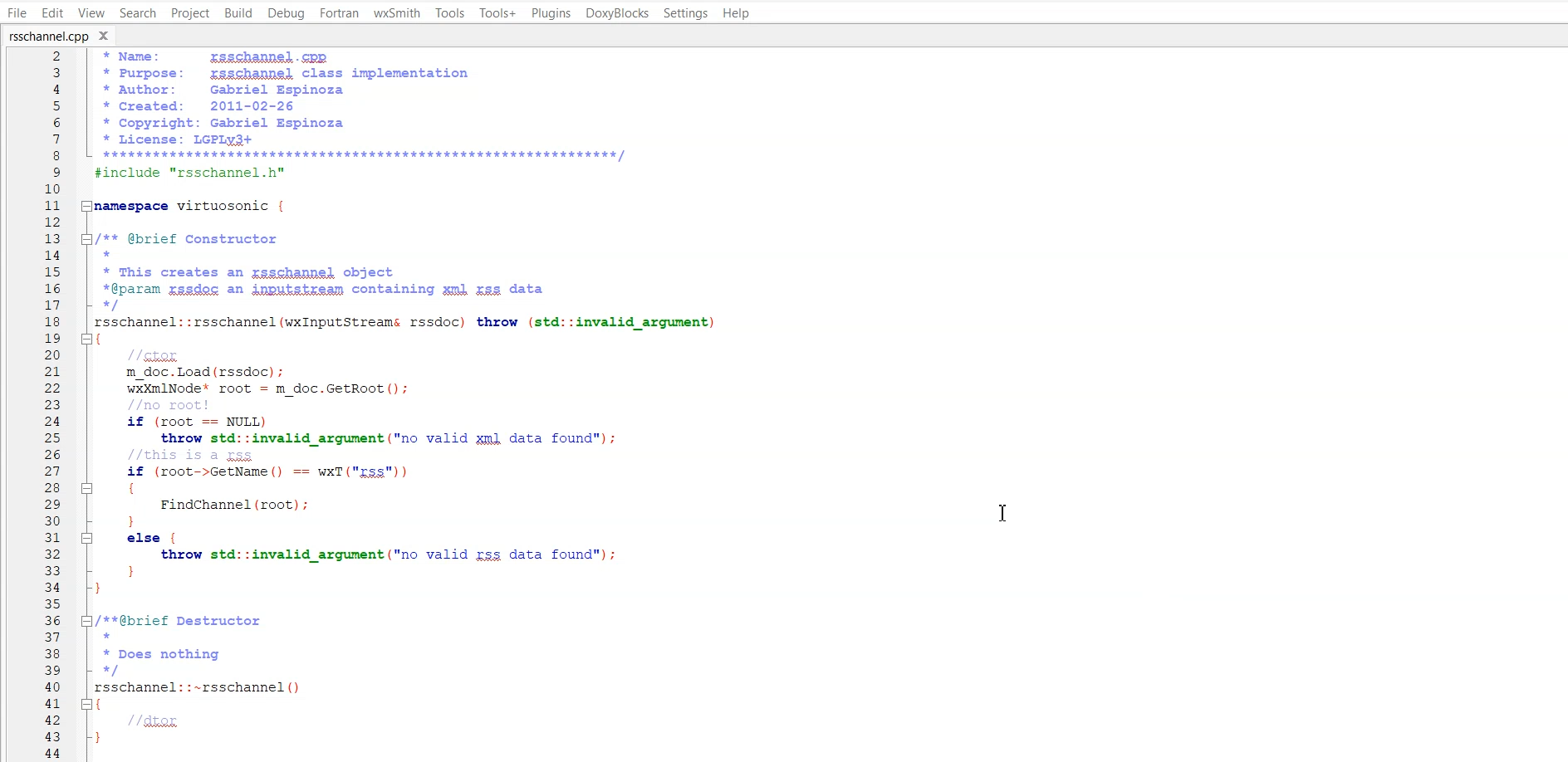  I want to click on View, so click(91, 13).